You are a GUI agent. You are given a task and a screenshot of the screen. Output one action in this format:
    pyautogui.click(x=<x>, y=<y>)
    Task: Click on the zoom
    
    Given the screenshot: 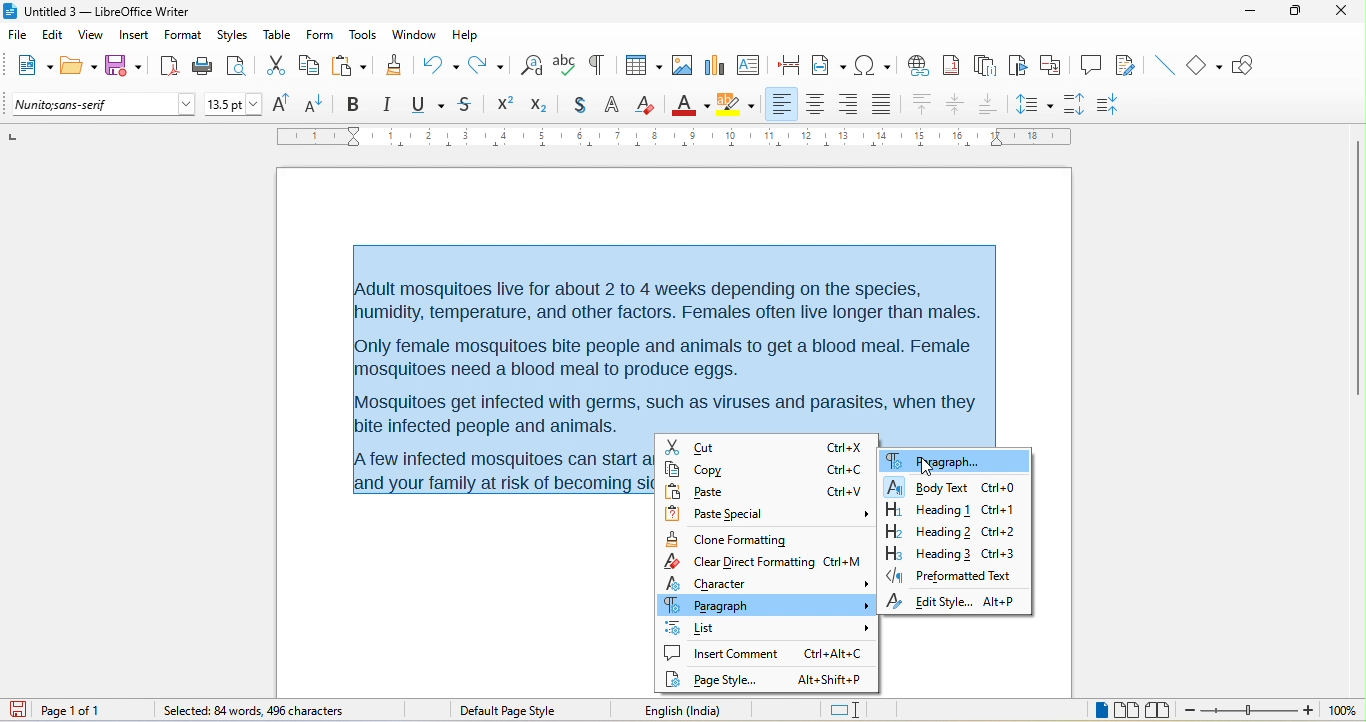 What is the action you would take?
    pyautogui.click(x=1250, y=712)
    